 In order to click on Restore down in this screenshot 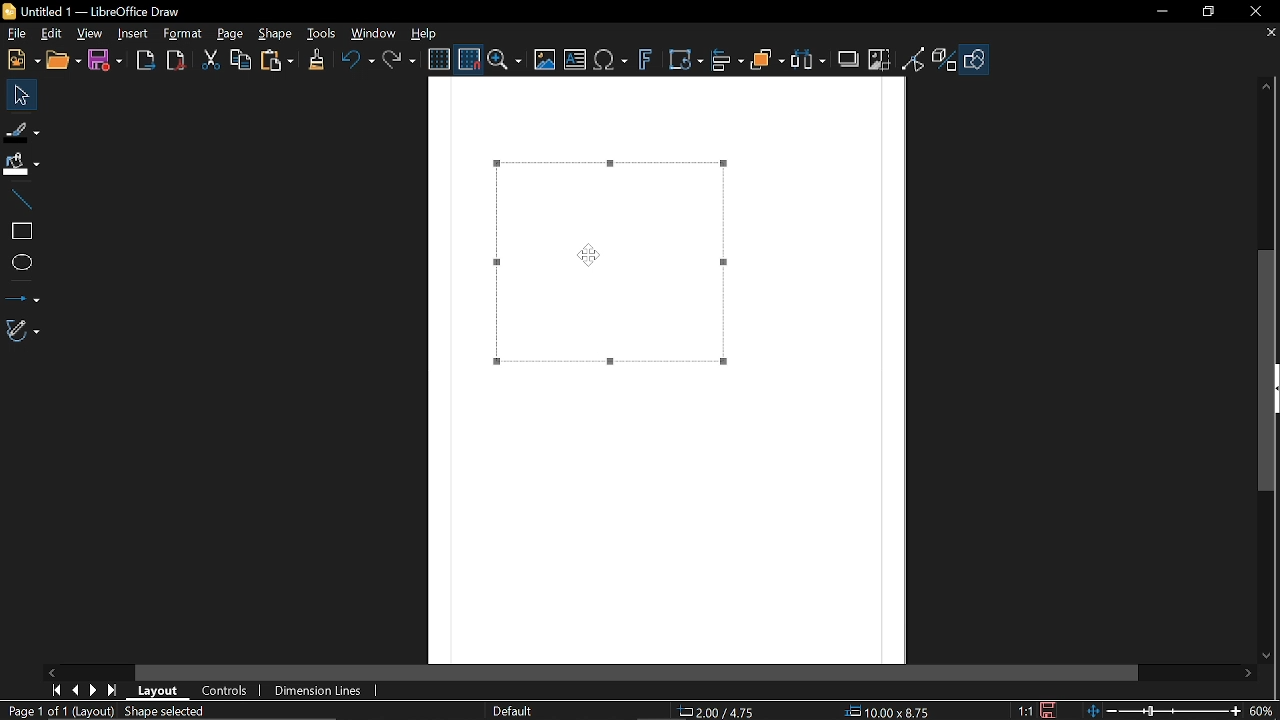, I will do `click(1208, 13)`.